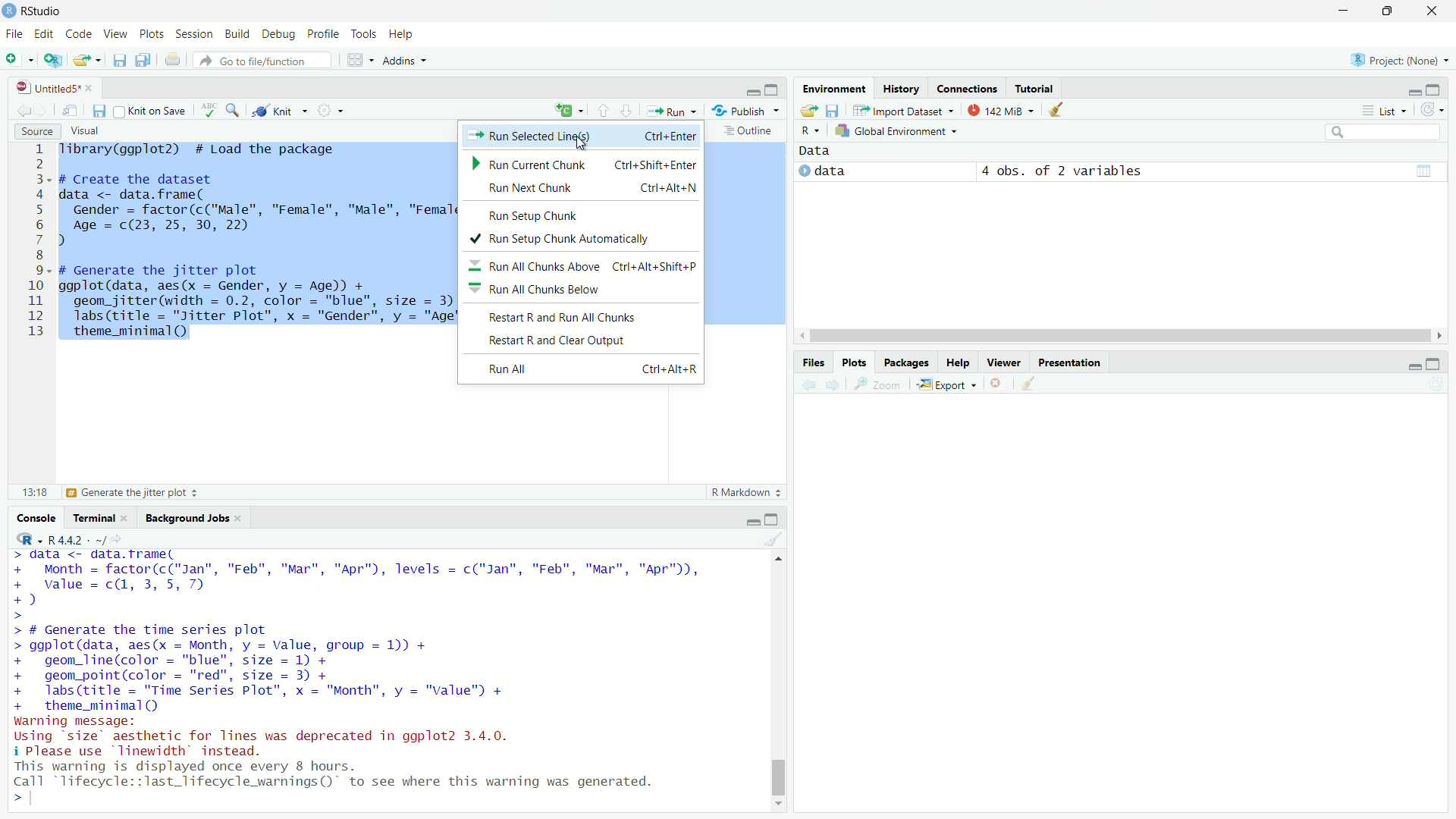 This screenshot has height=819, width=1456. What do you see at coordinates (572, 215) in the screenshot?
I see `Run Setup Chunk` at bounding box center [572, 215].